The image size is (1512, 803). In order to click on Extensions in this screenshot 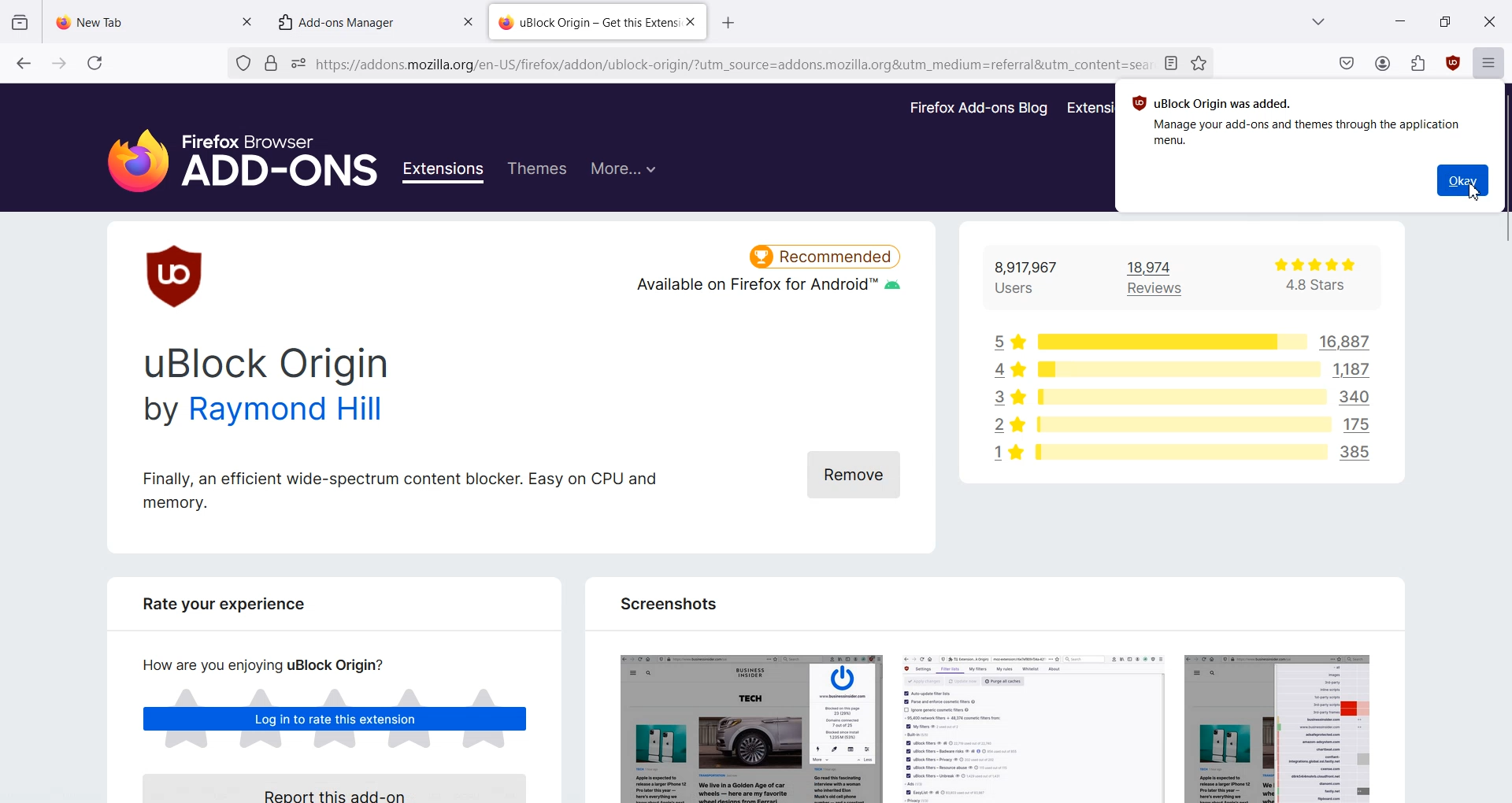, I will do `click(1422, 64)`.